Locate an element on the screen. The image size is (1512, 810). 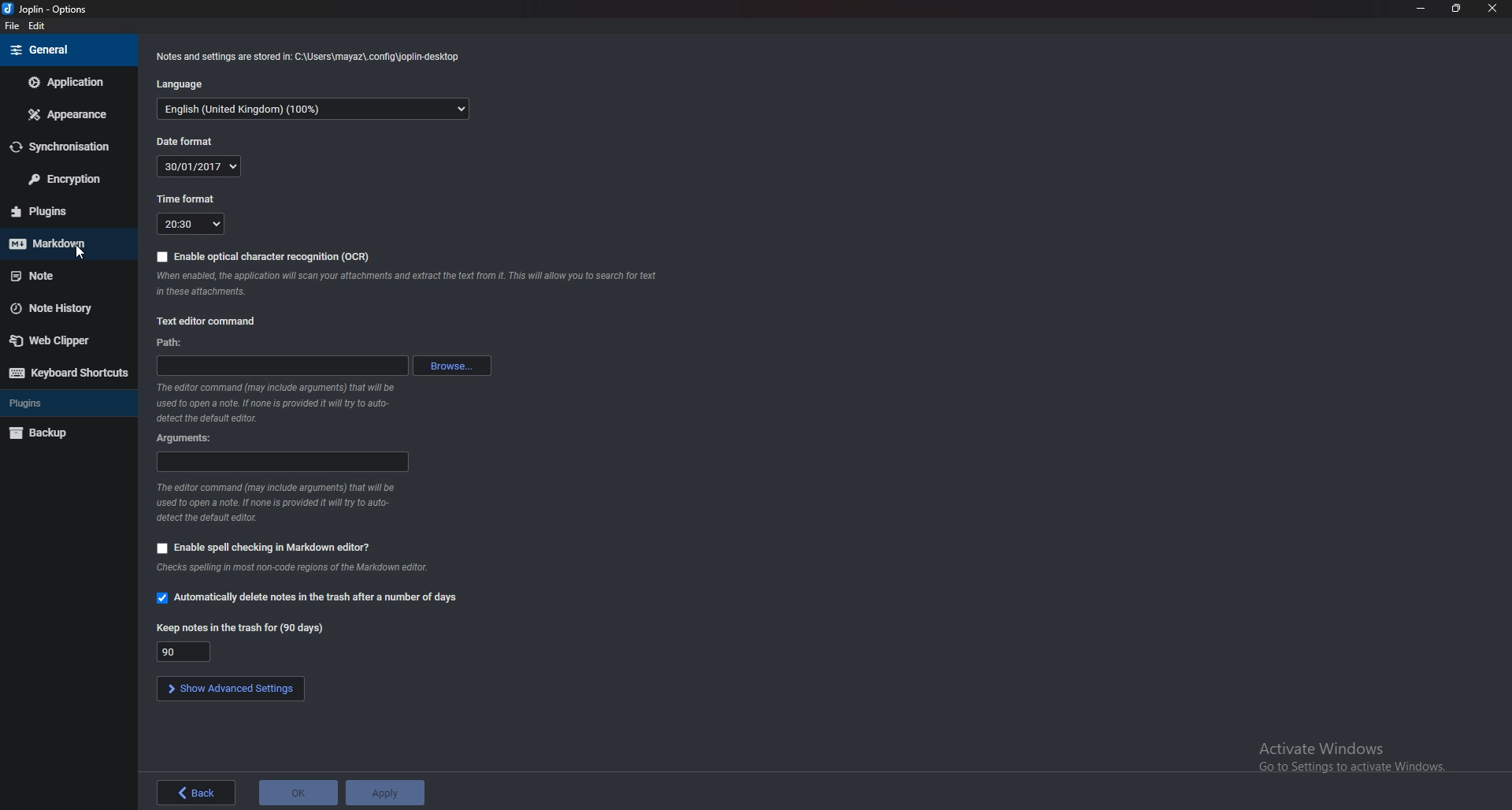
General is located at coordinates (63, 50).